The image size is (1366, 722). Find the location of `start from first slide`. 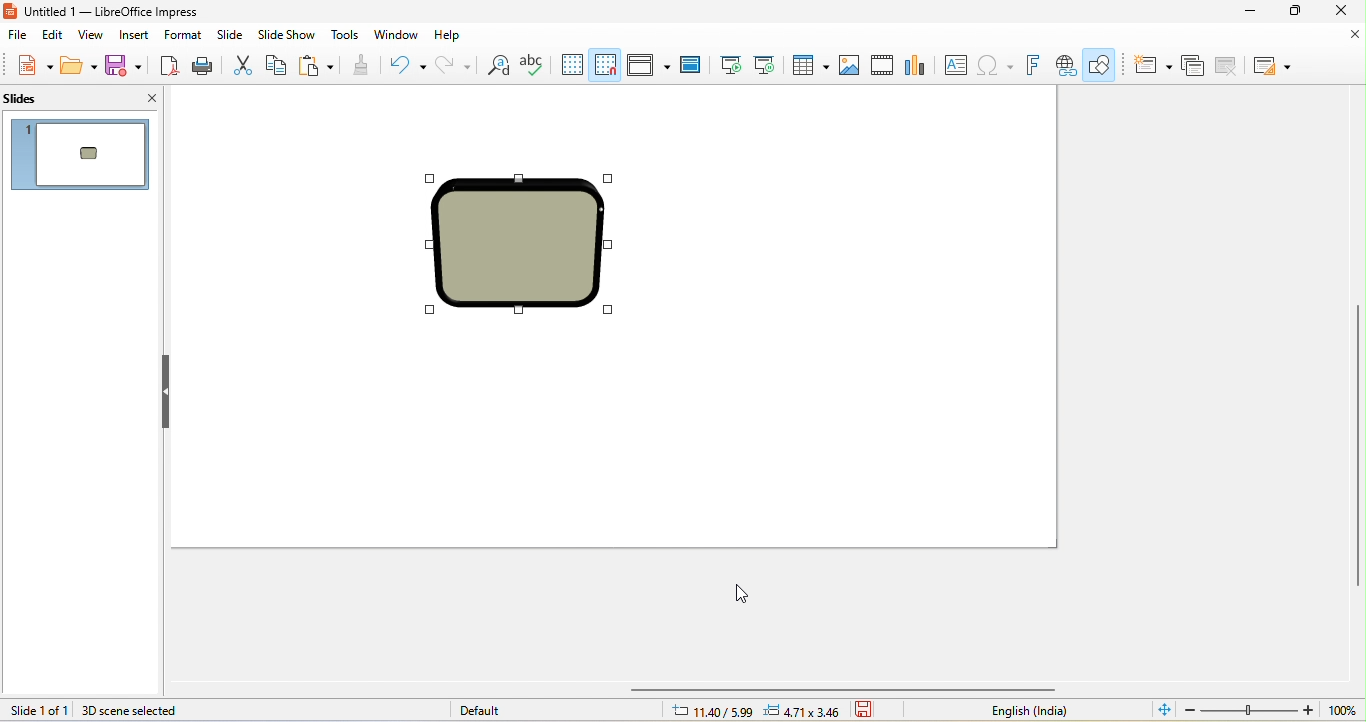

start from first slide is located at coordinates (729, 64).